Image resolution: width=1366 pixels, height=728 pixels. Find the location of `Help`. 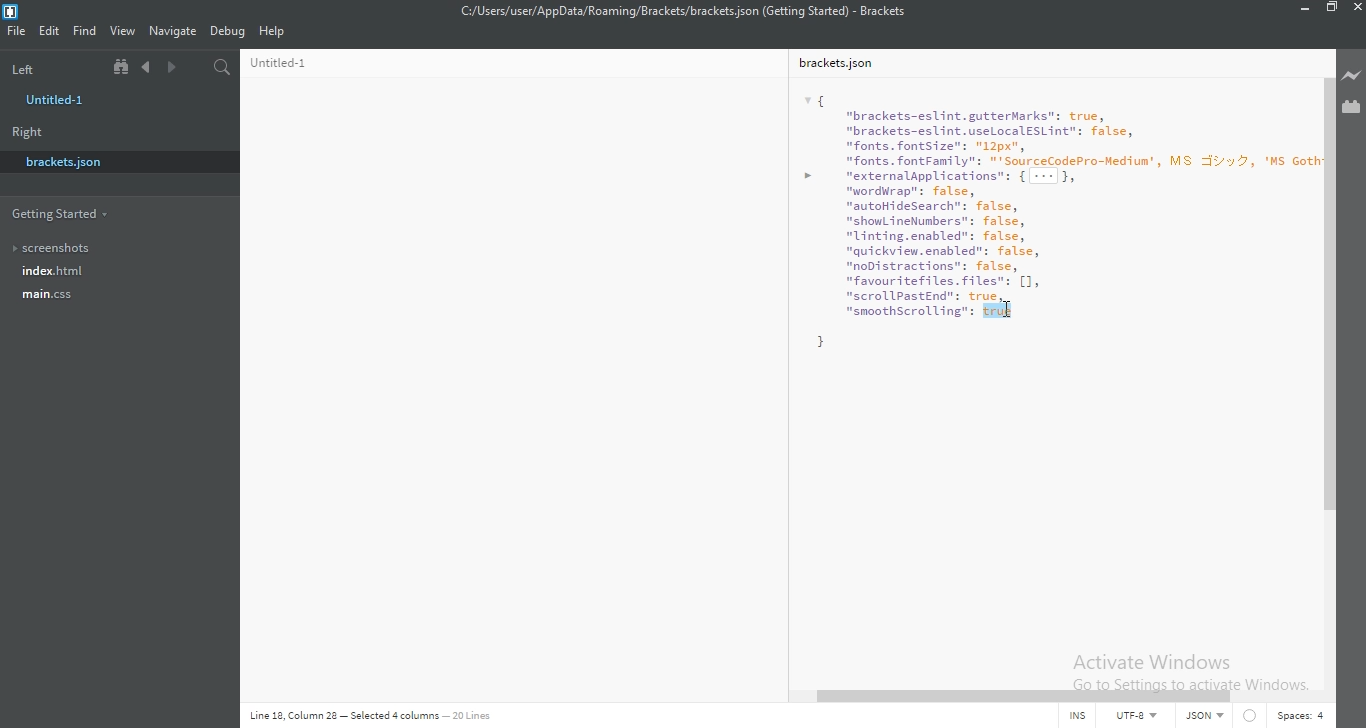

Help is located at coordinates (273, 33).